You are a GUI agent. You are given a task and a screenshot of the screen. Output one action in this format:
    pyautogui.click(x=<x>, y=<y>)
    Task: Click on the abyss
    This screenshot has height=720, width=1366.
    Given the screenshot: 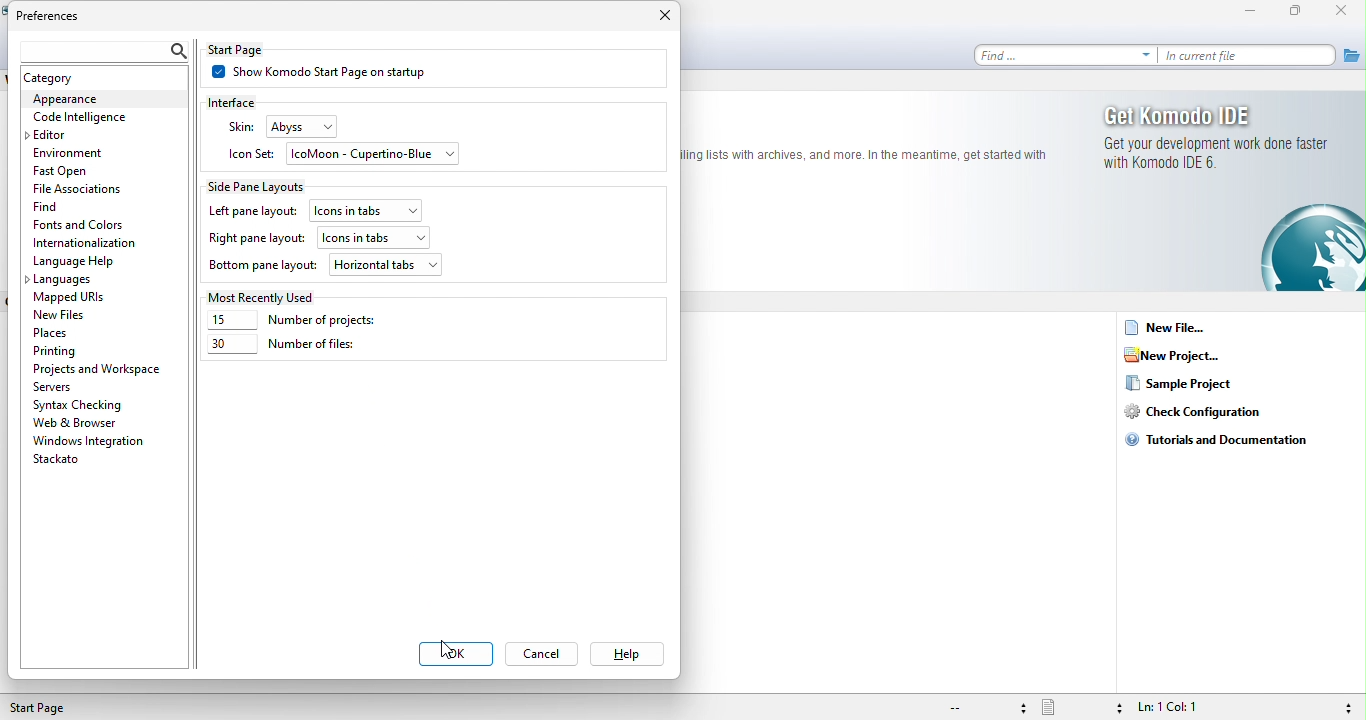 What is the action you would take?
    pyautogui.click(x=316, y=125)
    